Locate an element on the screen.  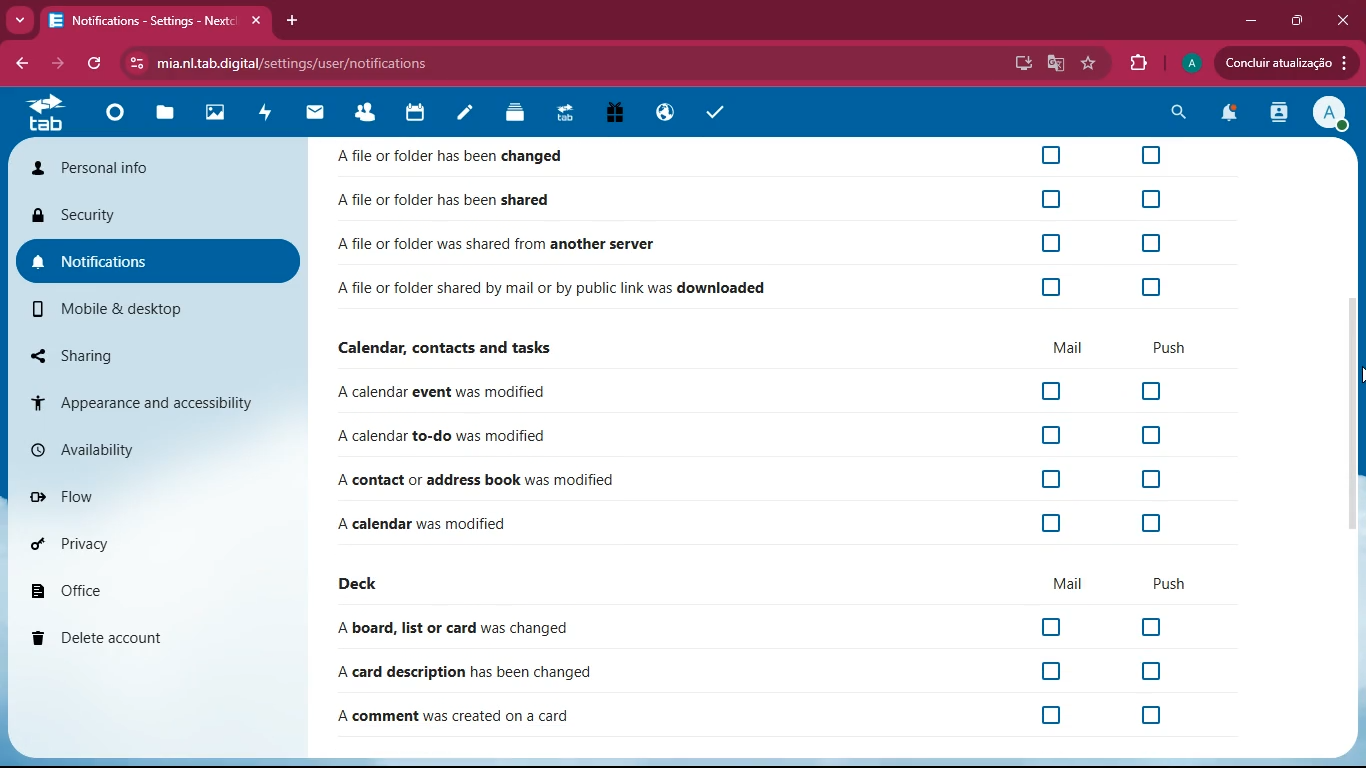
mail is located at coordinates (1071, 580).